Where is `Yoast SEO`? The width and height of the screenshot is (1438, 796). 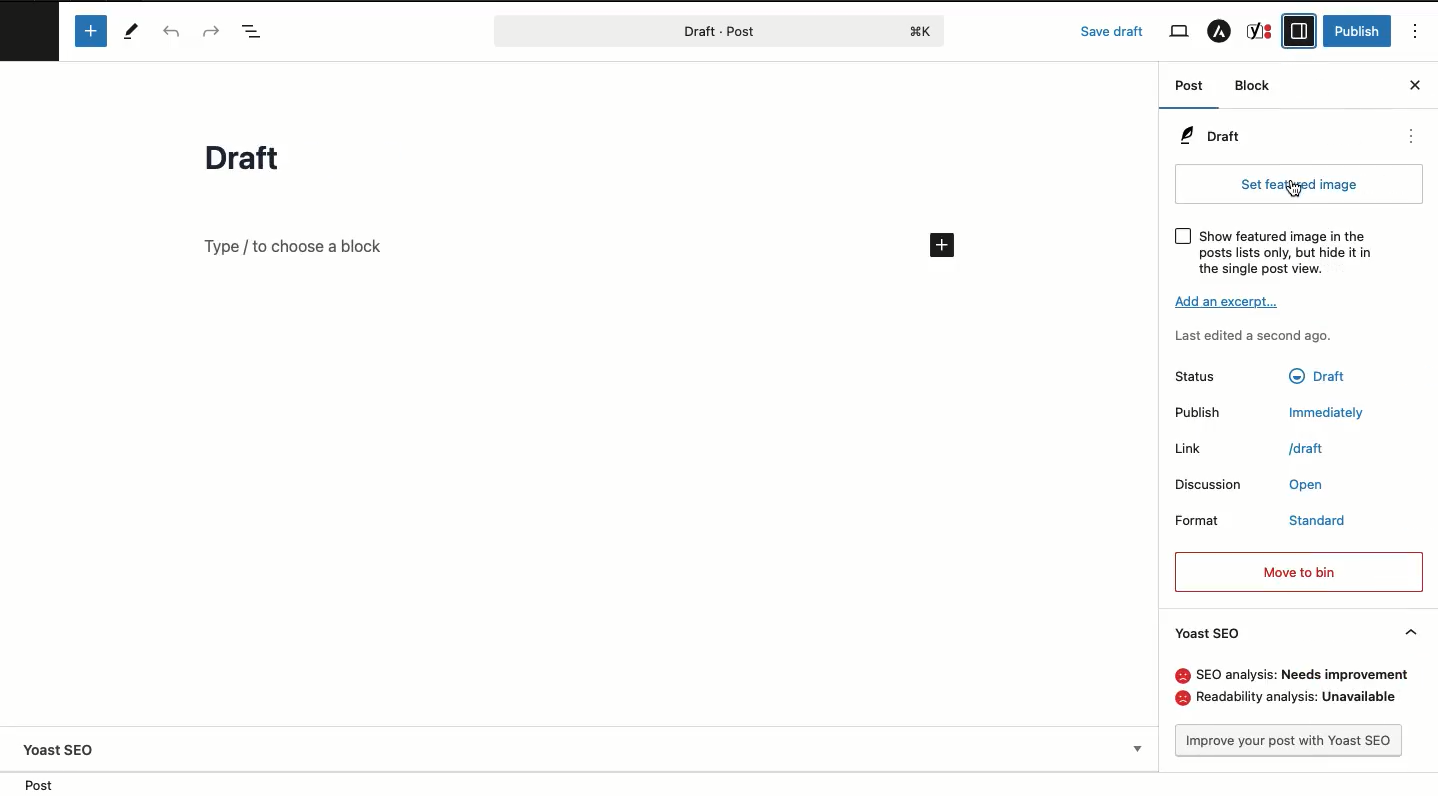 Yoast SEO is located at coordinates (60, 749).